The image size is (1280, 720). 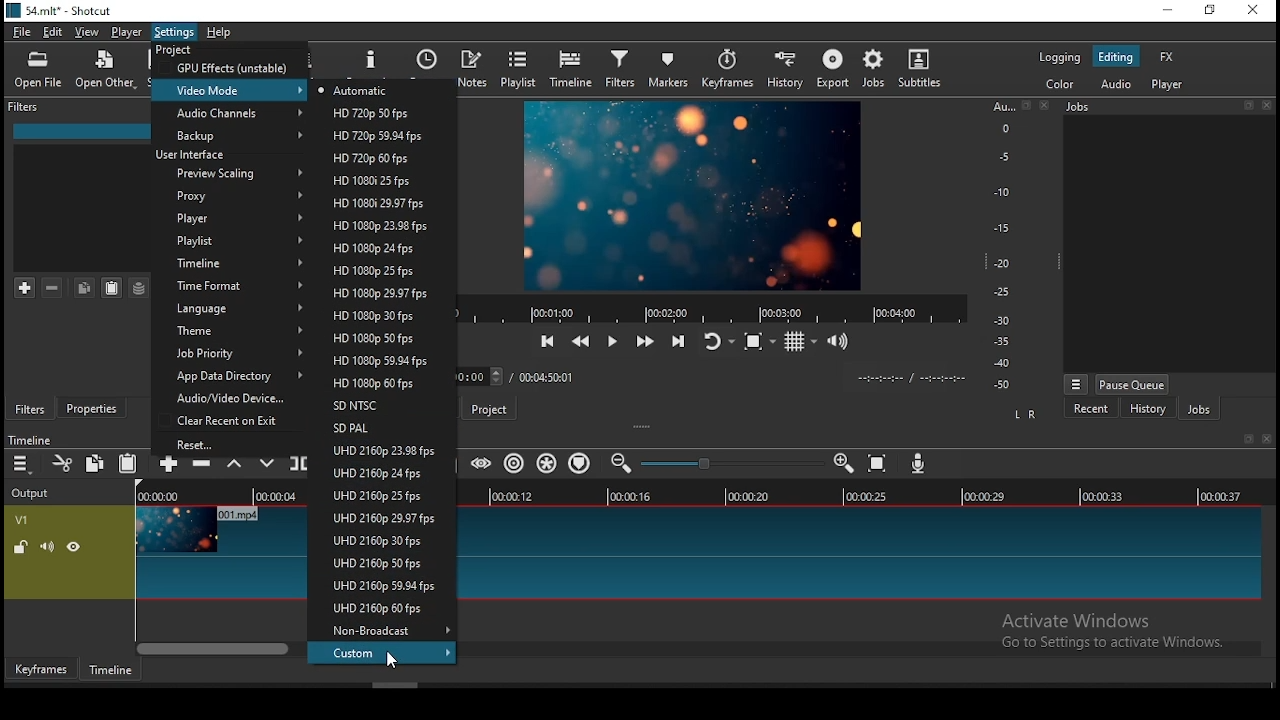 I want to click on 00:00:33, so click(x=1103, y=495).